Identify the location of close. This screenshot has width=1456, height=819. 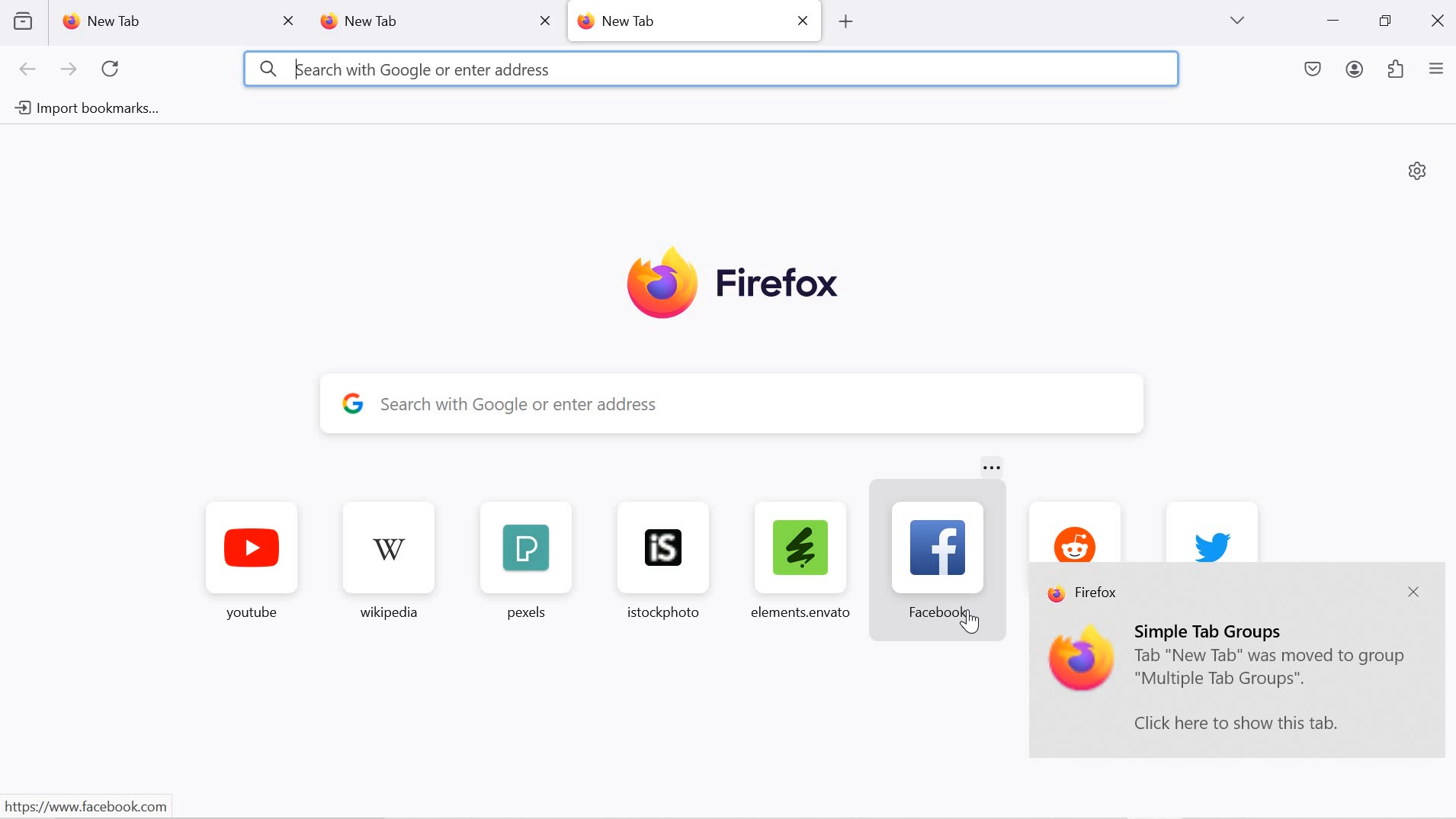
(805, 19).